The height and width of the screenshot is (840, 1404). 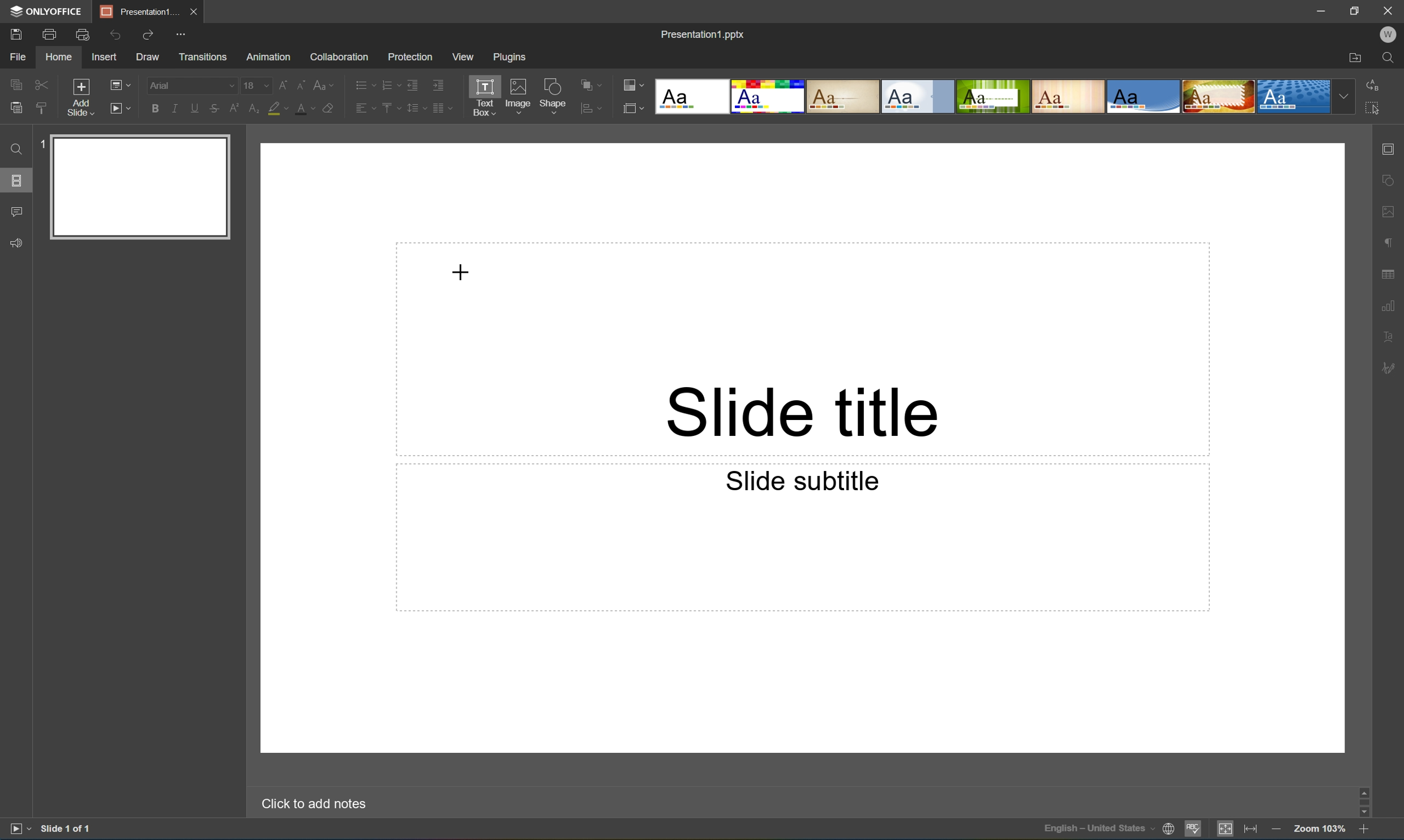 I want to click on chart settings, so click(x=1388, y=306).